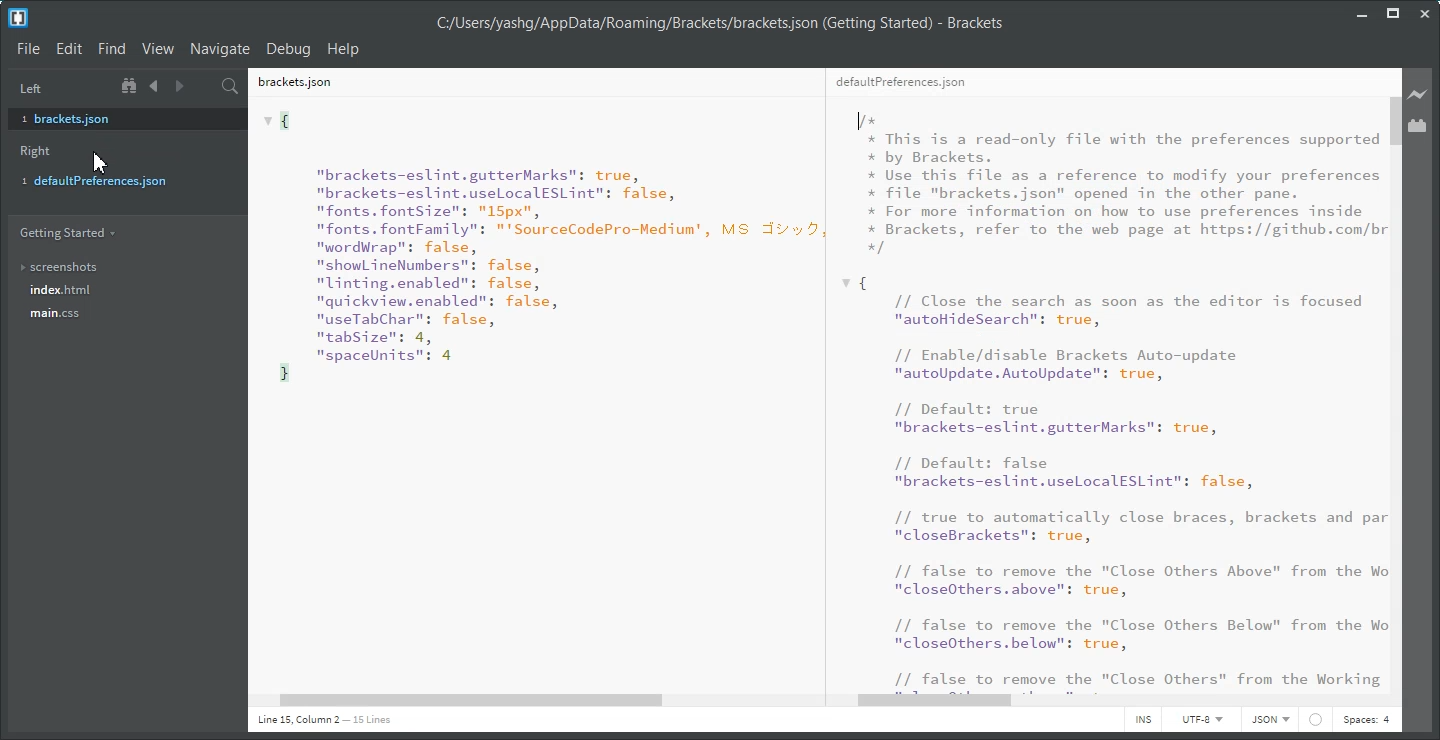 The width and height of the screenshot is (1440, 740). What do you see at coordinates (18, 18) in the screenshot?
I see `Logo` at bounding box center [18, 18].